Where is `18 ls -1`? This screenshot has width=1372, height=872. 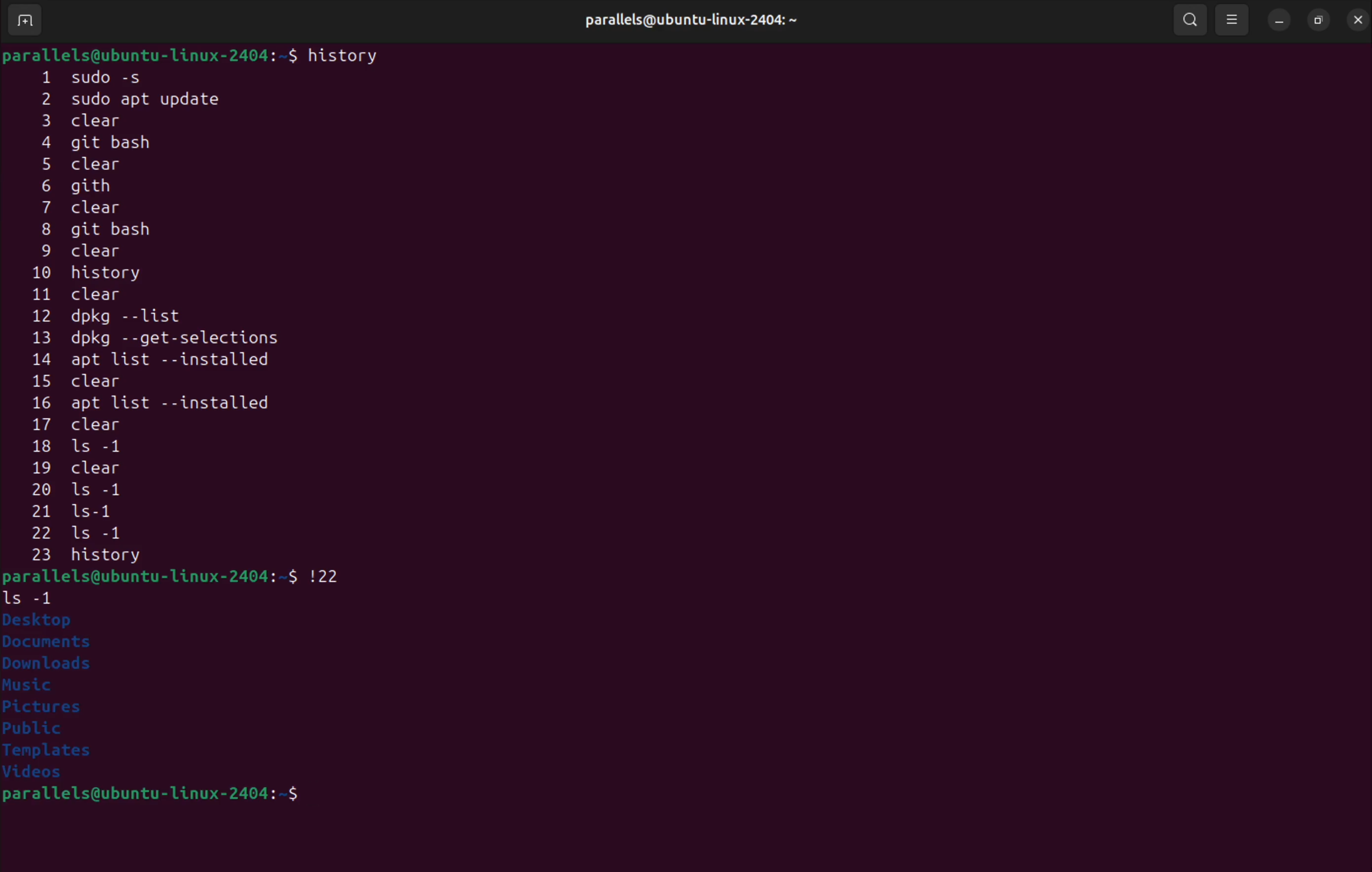
18 ls -1 is located at coordinates (86, 447).